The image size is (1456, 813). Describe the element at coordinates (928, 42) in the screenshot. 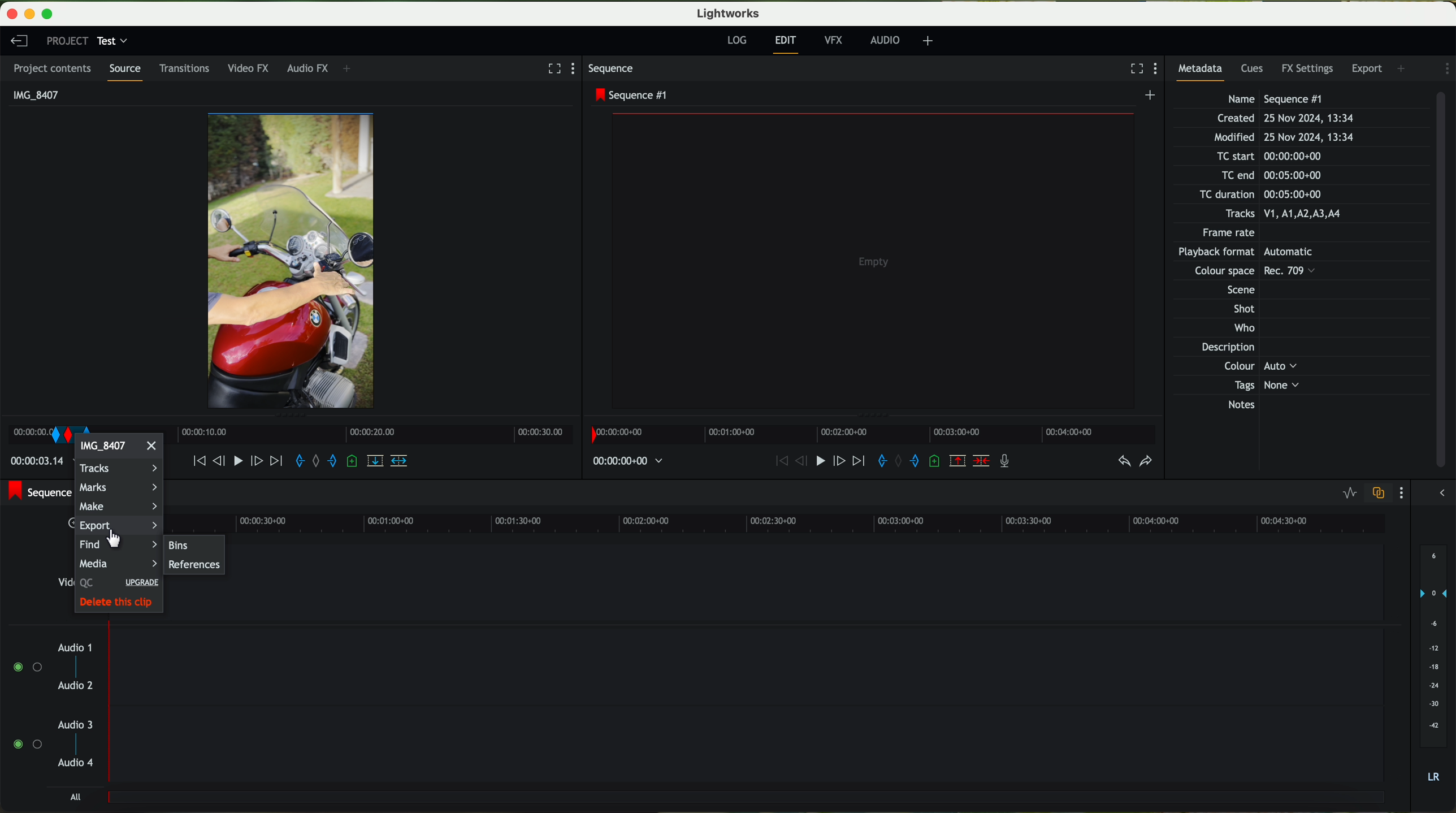

I see `+` at that location.